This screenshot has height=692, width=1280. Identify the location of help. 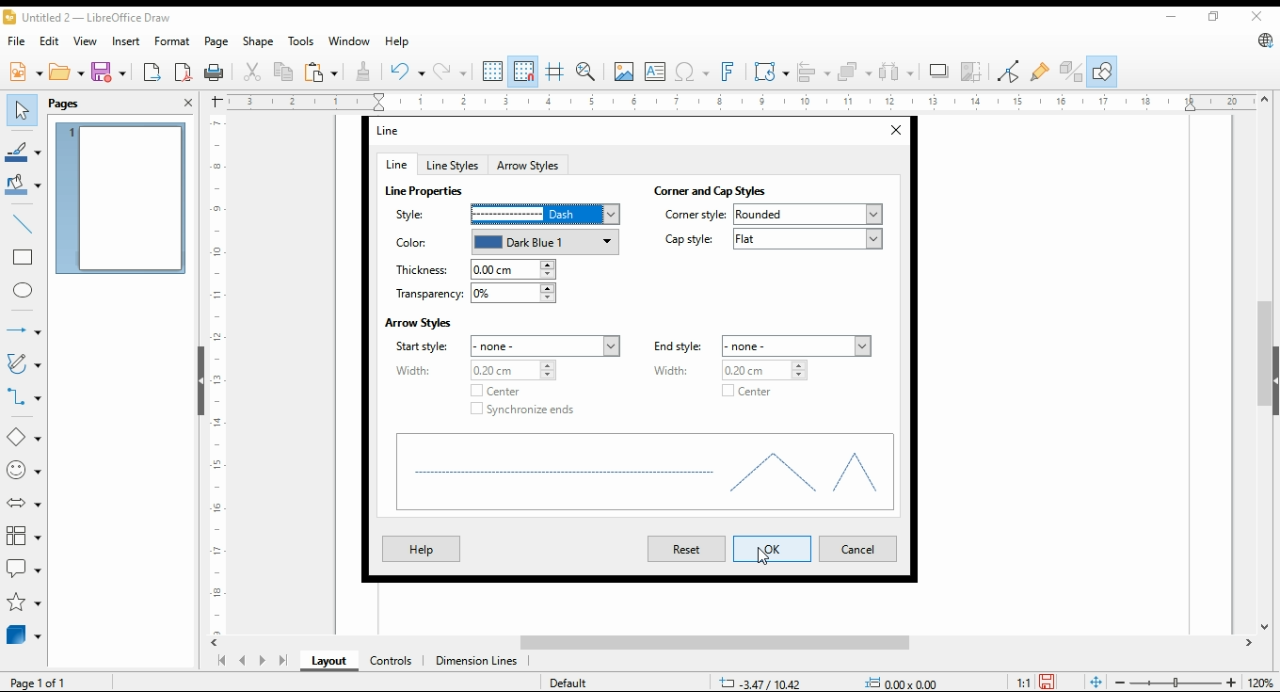
(420, 548).